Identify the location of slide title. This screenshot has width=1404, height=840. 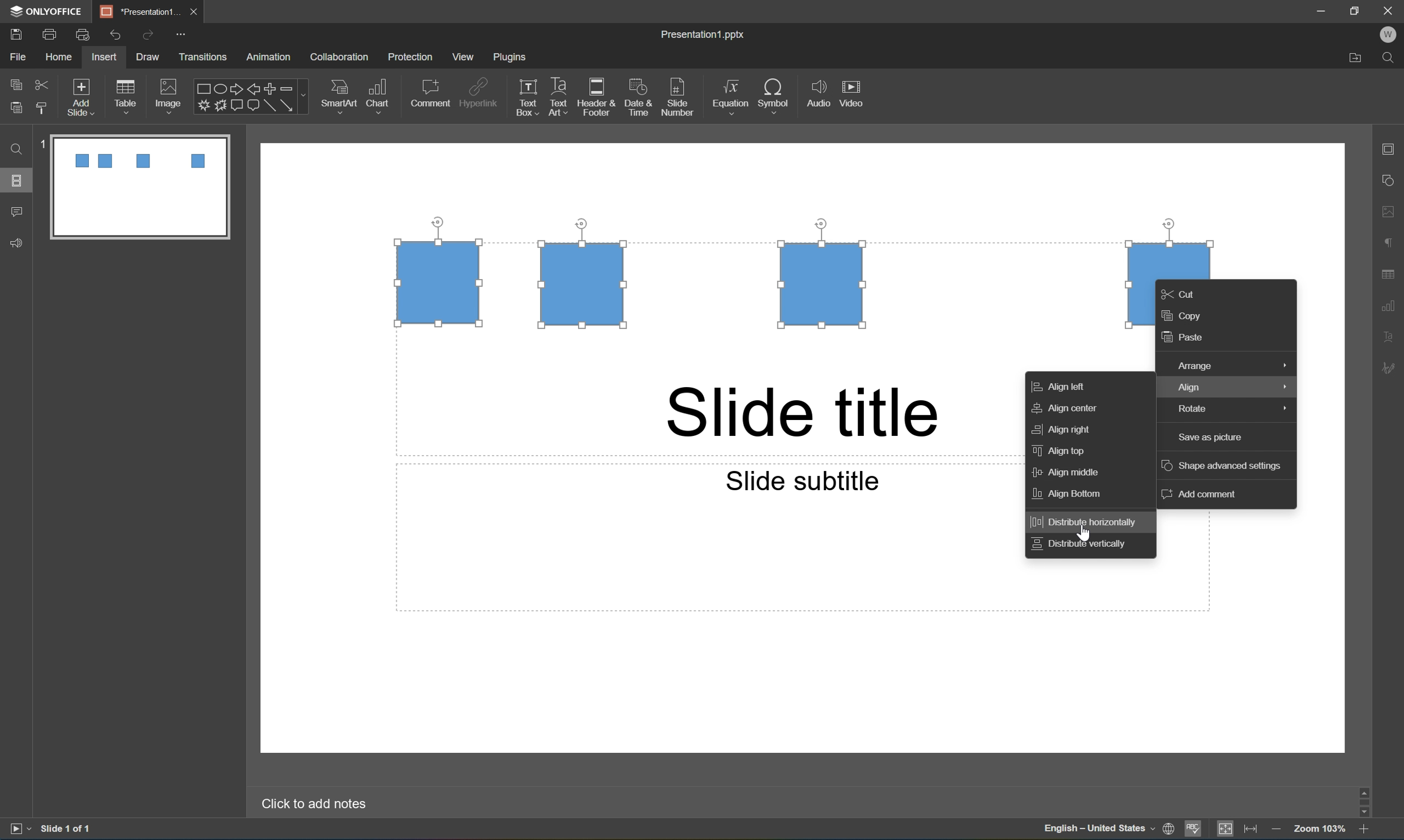
(803, 413).